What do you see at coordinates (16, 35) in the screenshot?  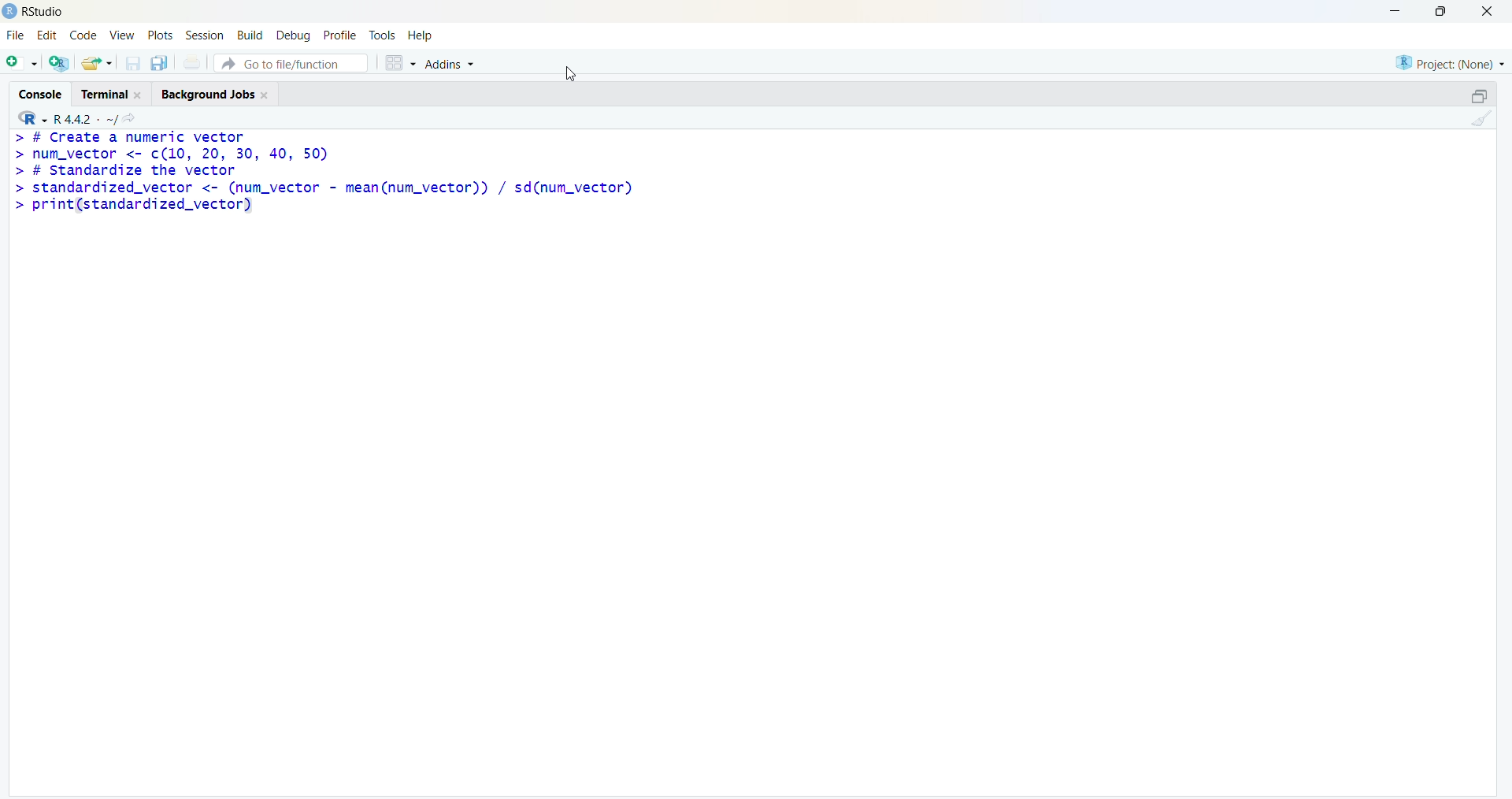 I see `file` at bounding box center [16, 35].